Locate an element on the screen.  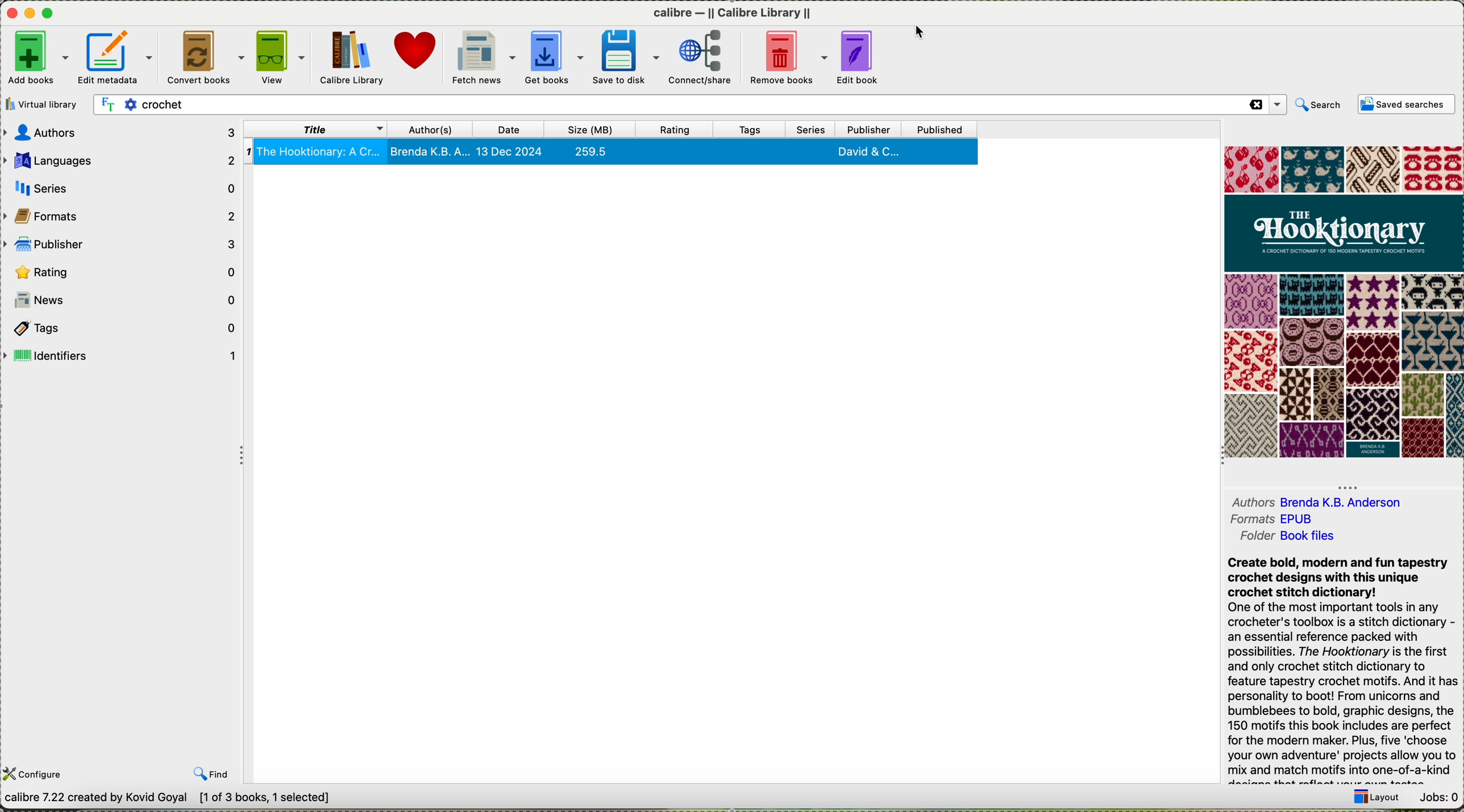
publisher is located at coordinates (122, 244).